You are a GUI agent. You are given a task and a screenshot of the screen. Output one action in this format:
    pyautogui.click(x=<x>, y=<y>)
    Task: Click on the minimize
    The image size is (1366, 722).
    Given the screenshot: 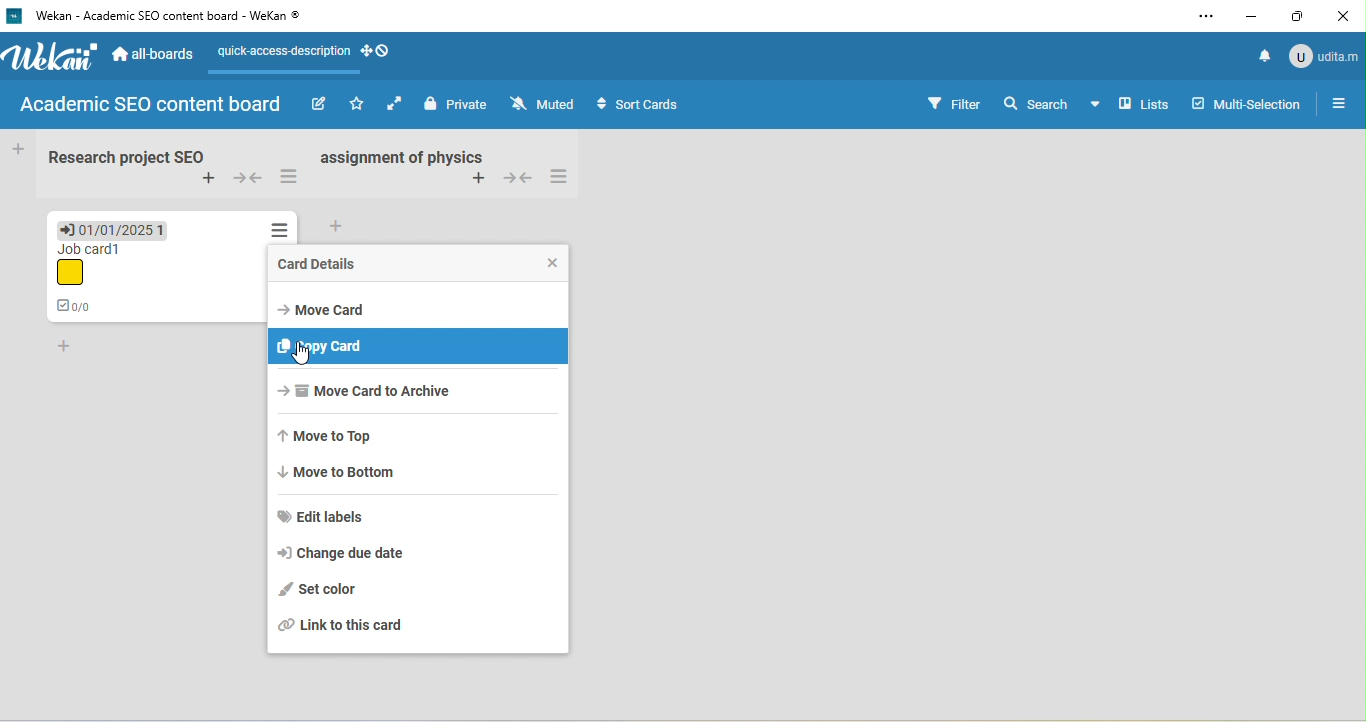 What is the action you would take?
    pyautogui.click(x=1252, y=14)
    